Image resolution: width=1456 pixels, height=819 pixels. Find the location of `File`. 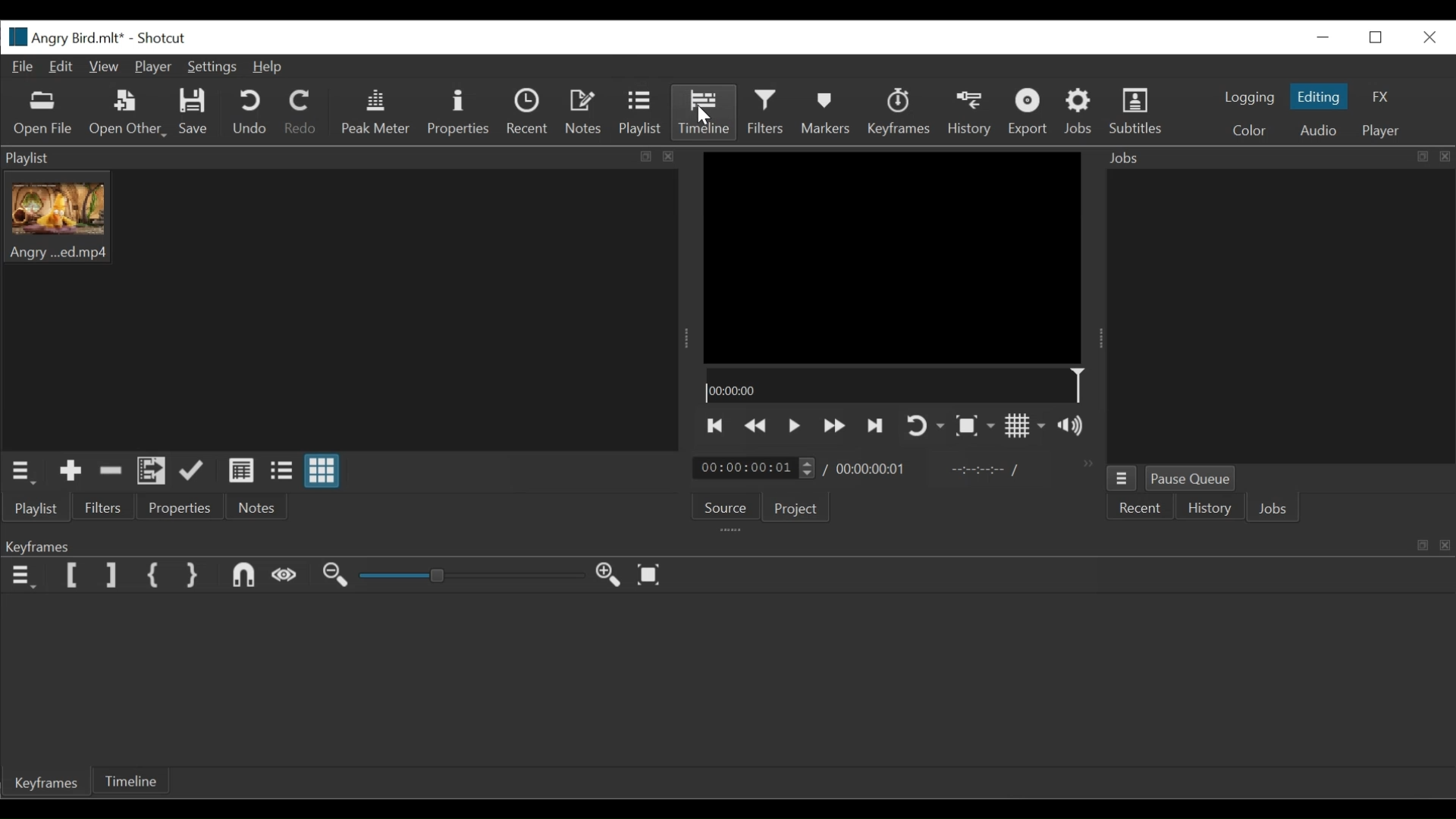

File is located at coordinates (24, 67).